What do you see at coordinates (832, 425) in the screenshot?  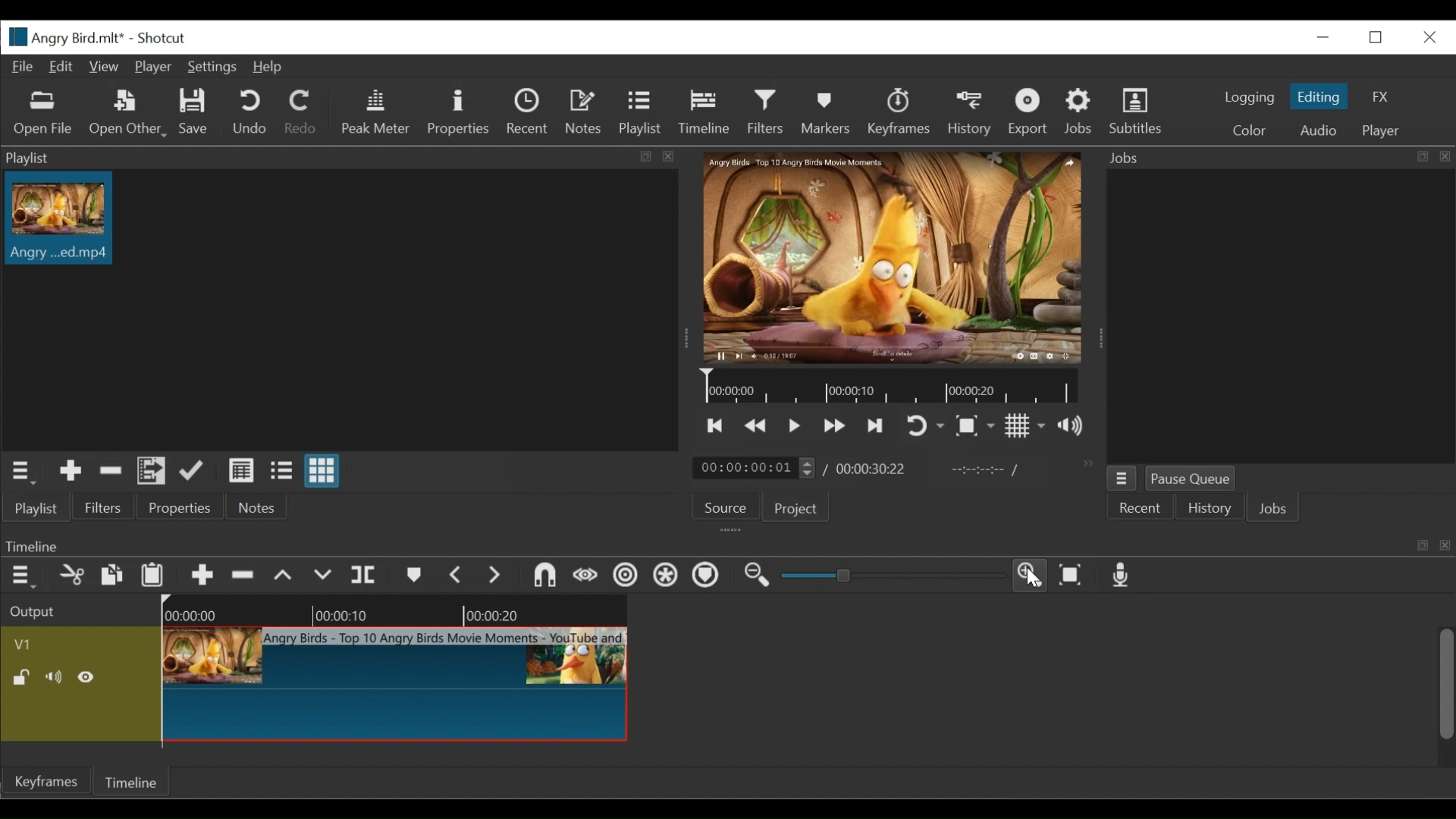 I see `Play forward quickly` at bounding box center [832, 425].